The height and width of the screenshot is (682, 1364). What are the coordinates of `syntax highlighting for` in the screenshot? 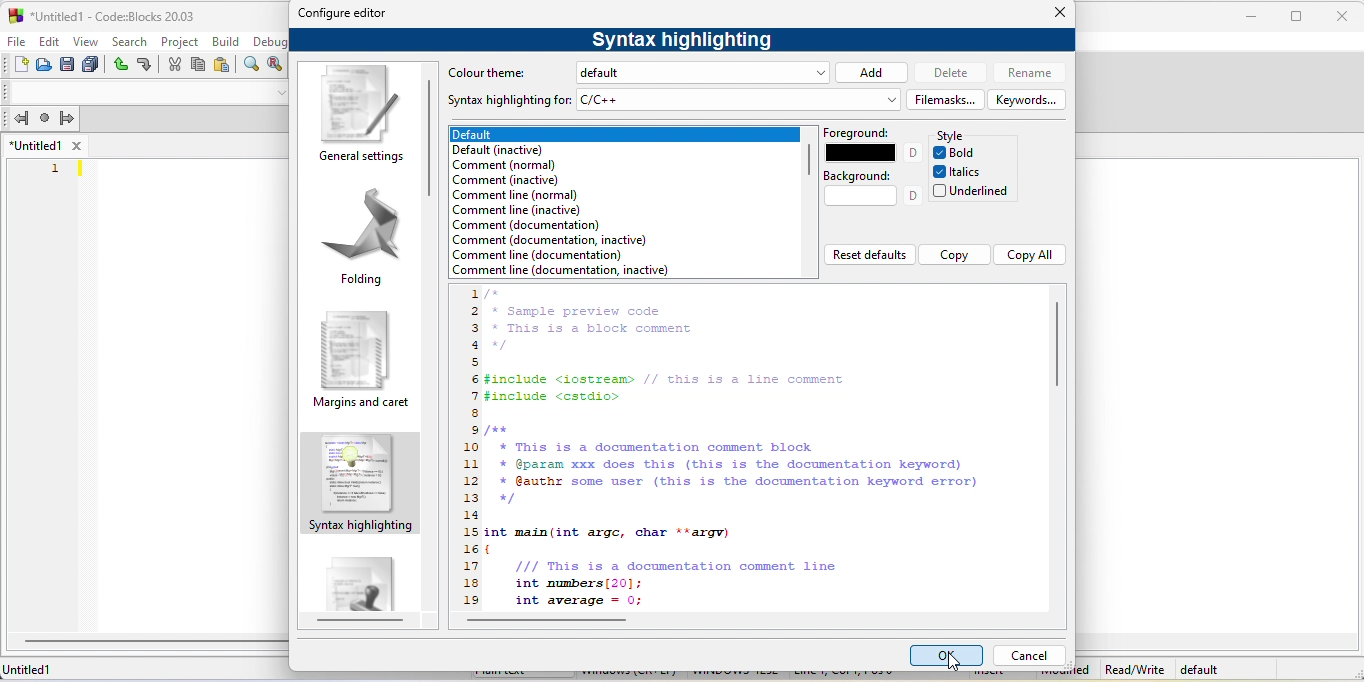 It's located at (509, 101).